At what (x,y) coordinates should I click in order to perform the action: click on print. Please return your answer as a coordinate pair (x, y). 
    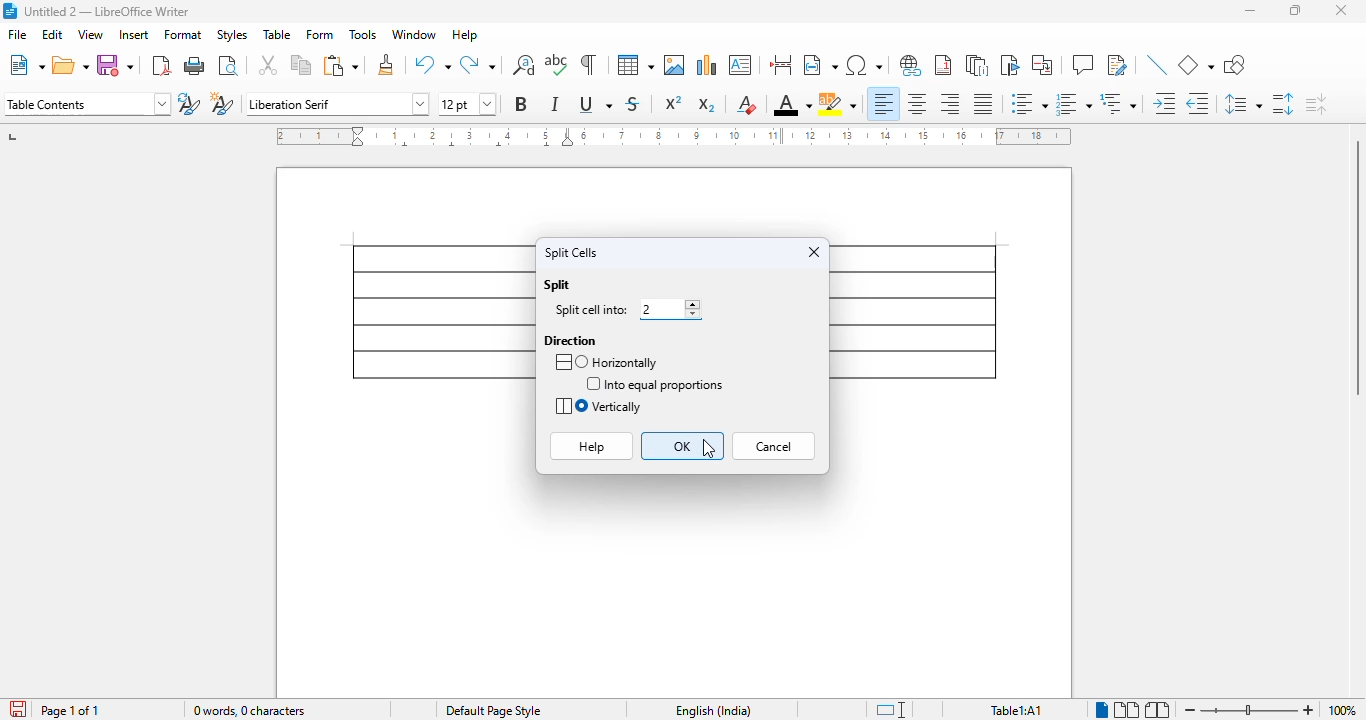
    Looking at the image, I should click on (194, 66).